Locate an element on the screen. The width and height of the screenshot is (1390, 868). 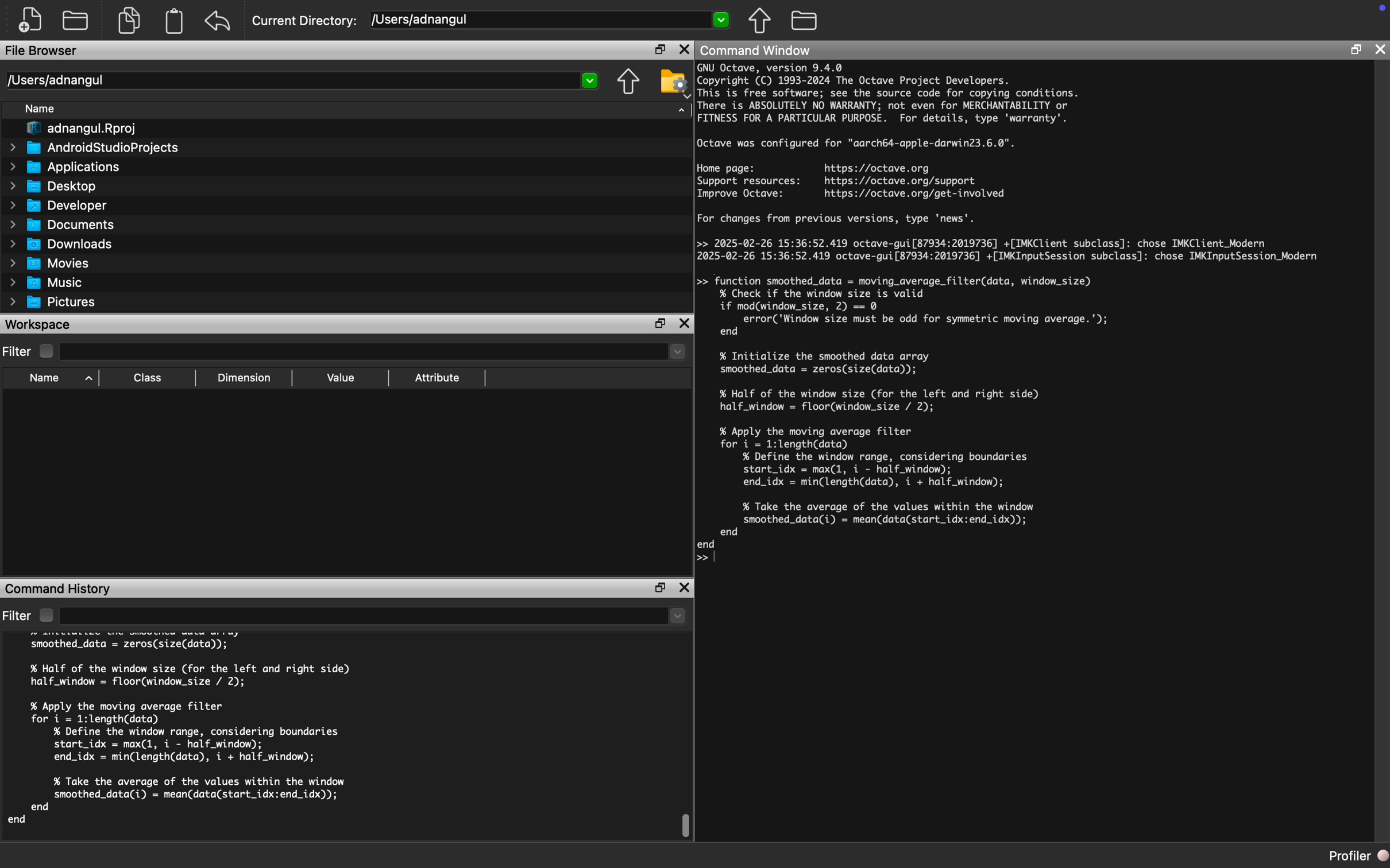
Restore Down is located at coordinates (660, 50).